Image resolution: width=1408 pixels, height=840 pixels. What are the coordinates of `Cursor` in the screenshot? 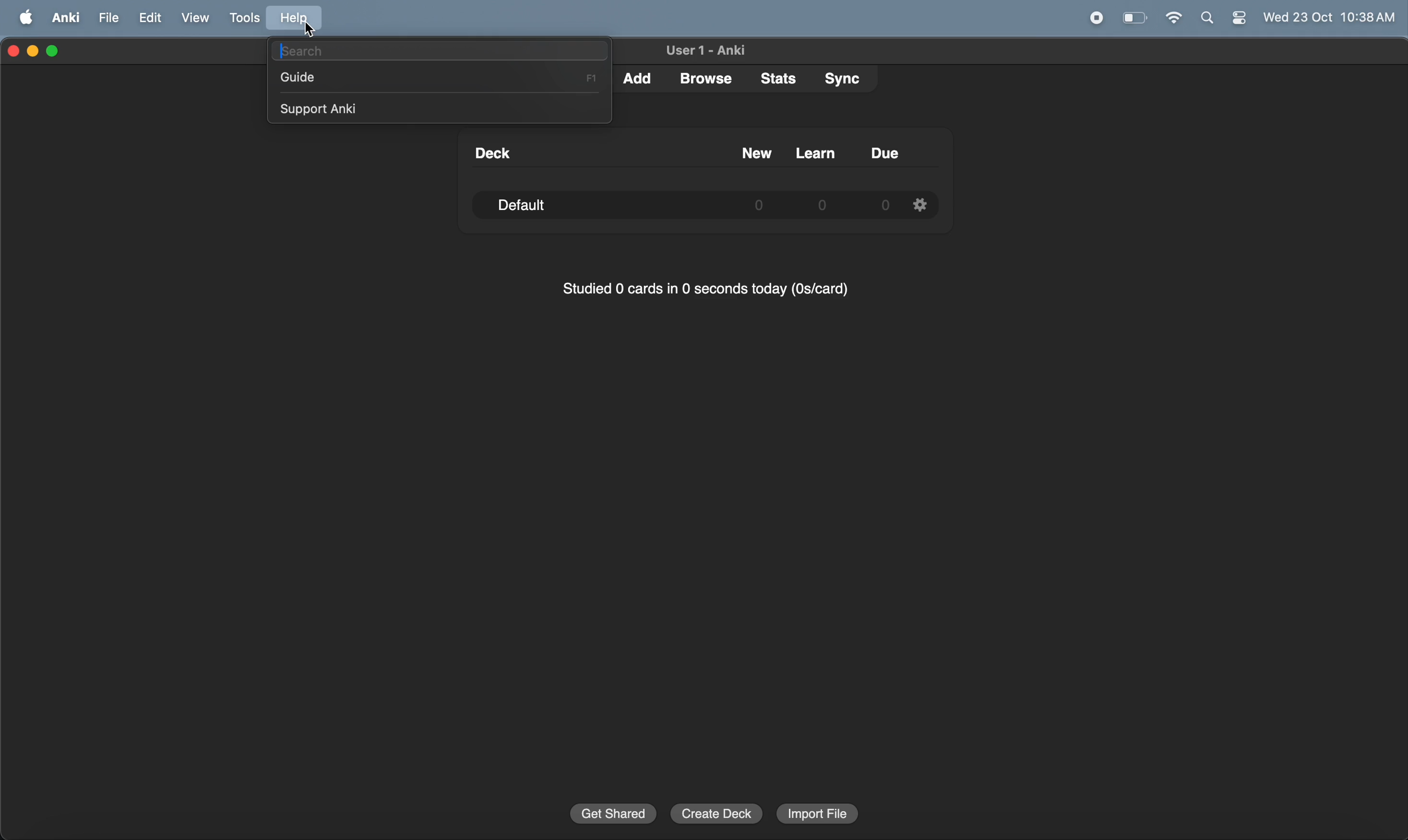 It's located at (310, 30).